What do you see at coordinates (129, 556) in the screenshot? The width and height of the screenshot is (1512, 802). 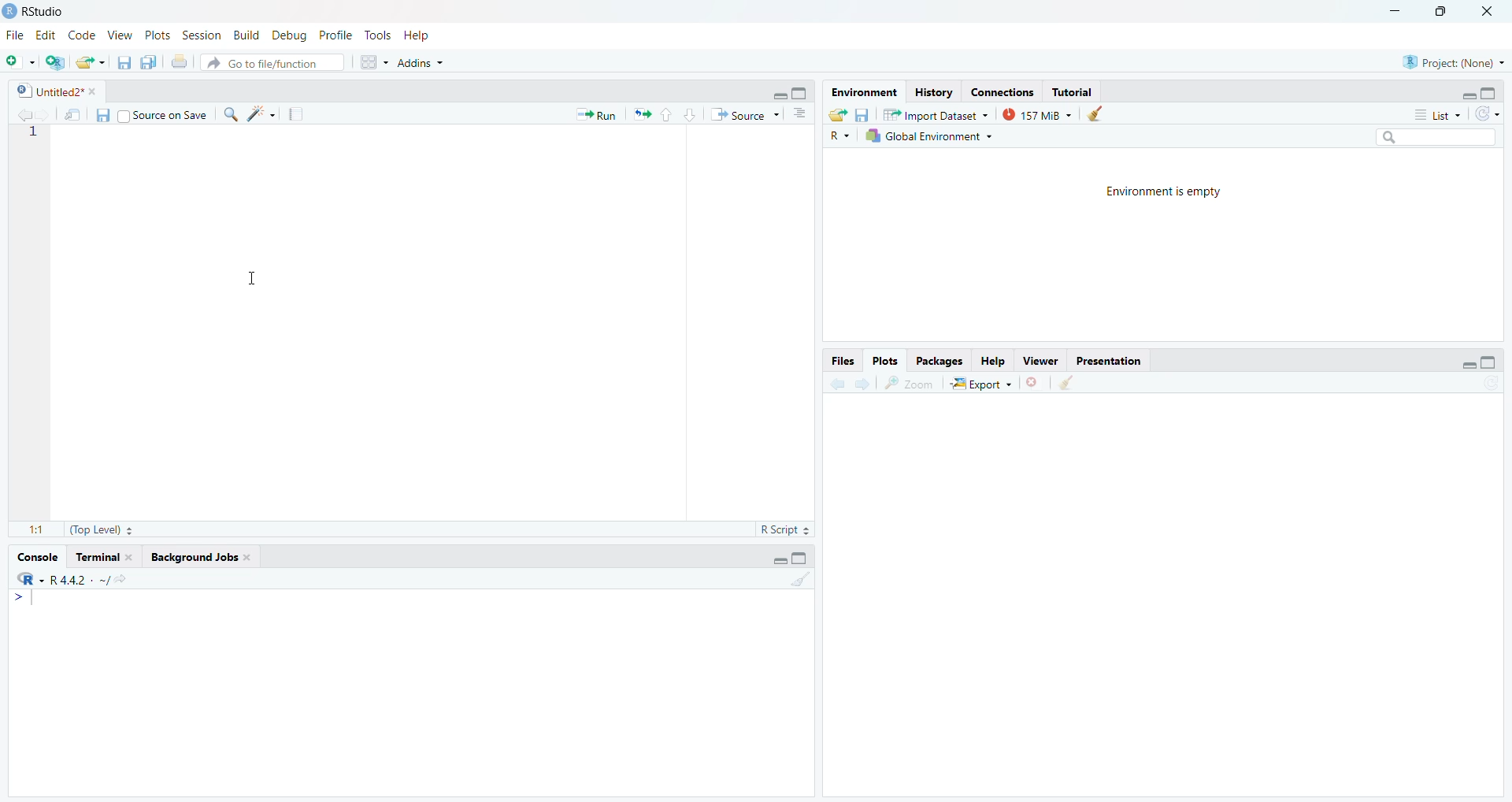 I see `close` at bounding box center [129, 556].